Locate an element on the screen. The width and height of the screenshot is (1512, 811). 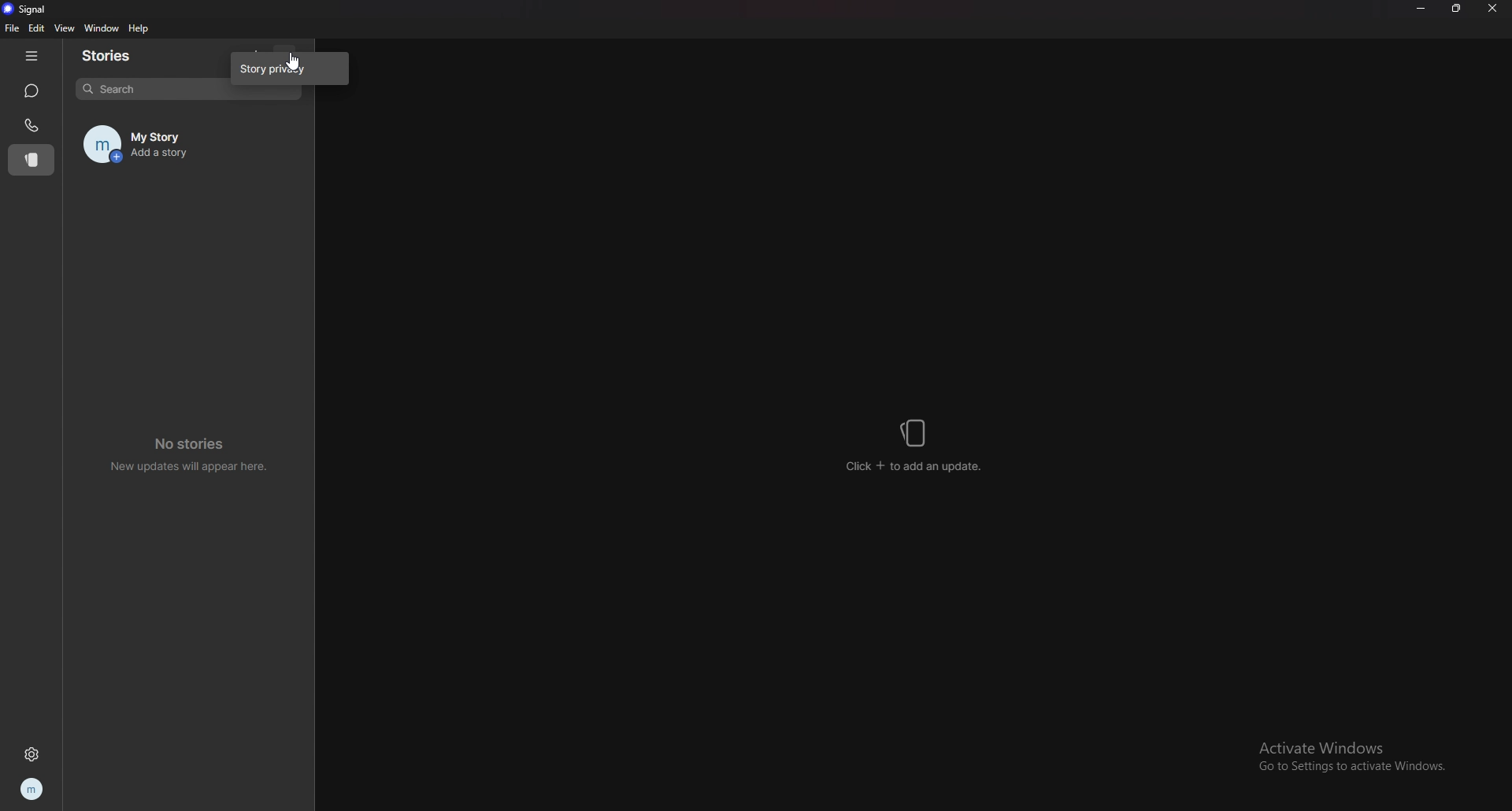
file is located at coordinates (11, 28).